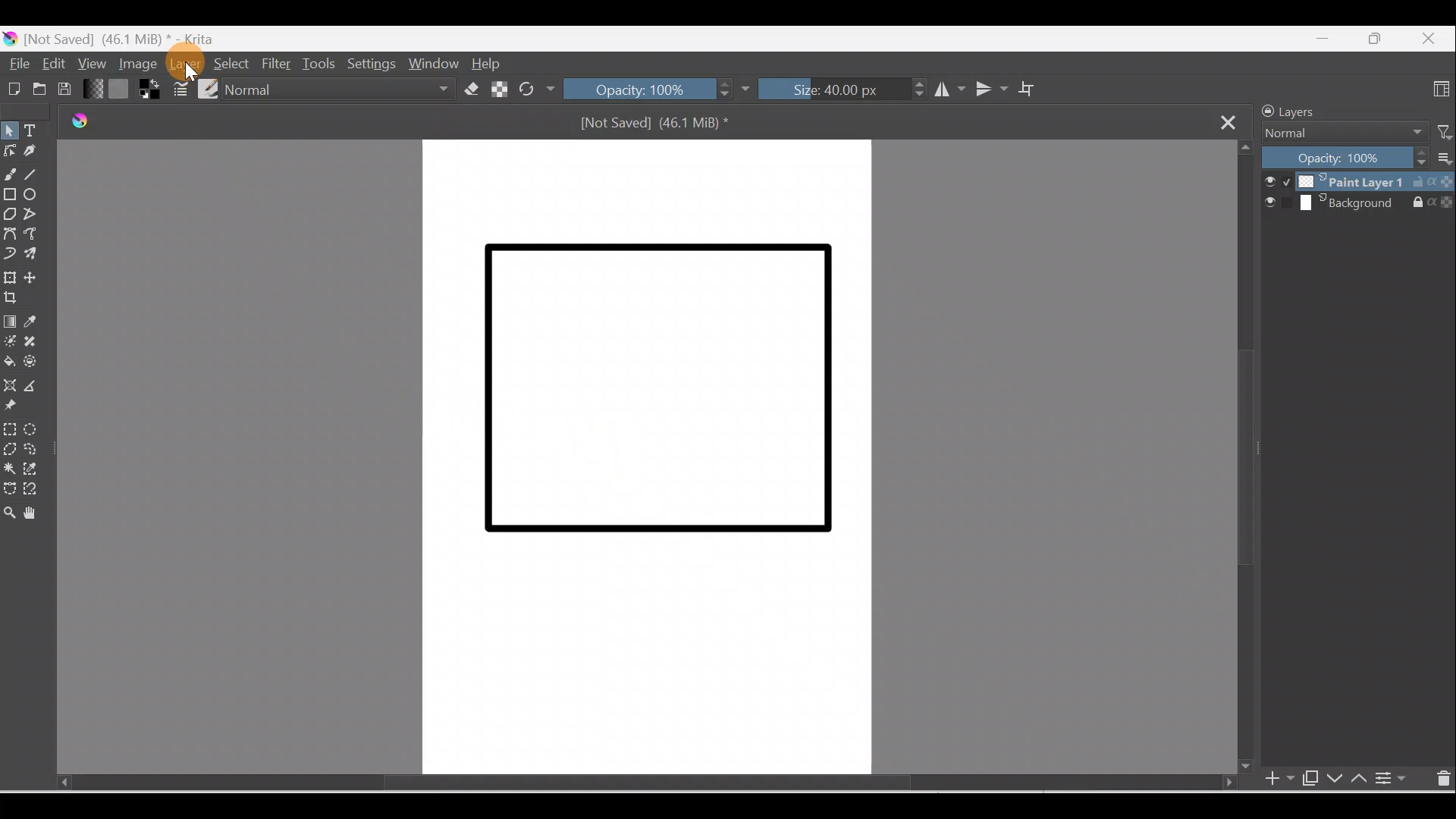 Image resolution: width=1456 pixels, height=819 pixels. Describe the element at coordinates (13, 298) in the screenshot. I see `Crop the image to an area` at that location.